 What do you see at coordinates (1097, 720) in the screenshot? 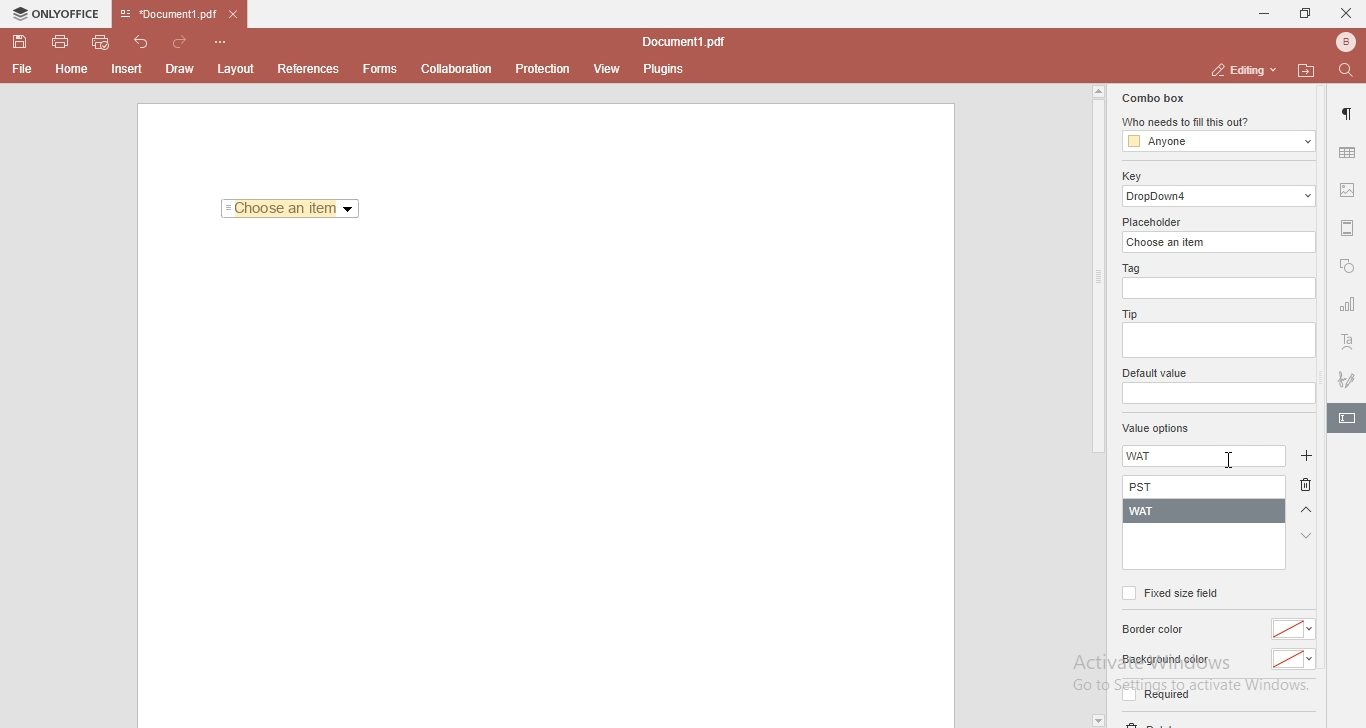
I see `dropdown` at bounding box center [1097, 720].